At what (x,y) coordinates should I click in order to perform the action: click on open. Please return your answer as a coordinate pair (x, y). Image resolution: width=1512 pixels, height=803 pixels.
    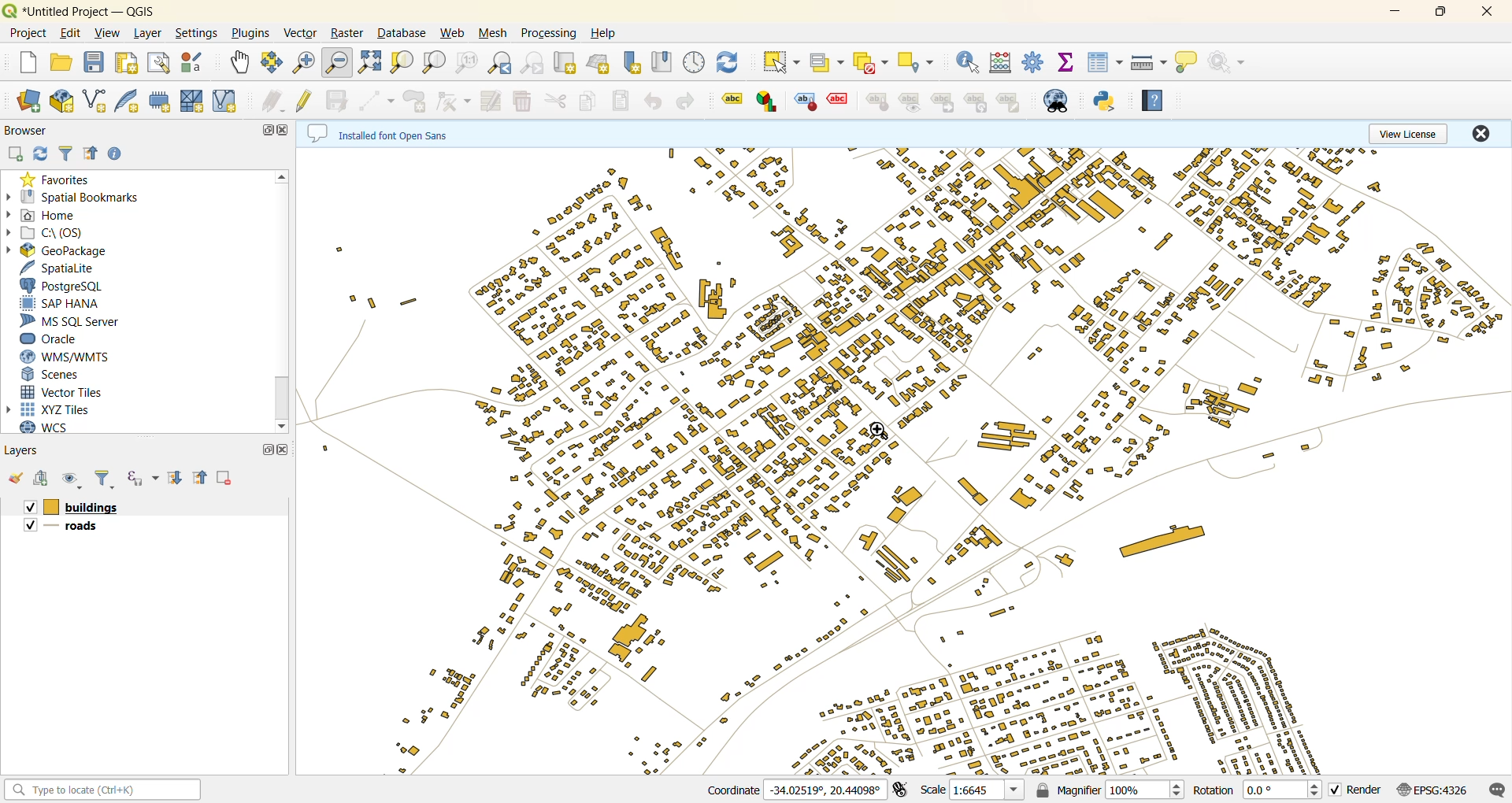
    Looking at the image, I should click on (61, 64).